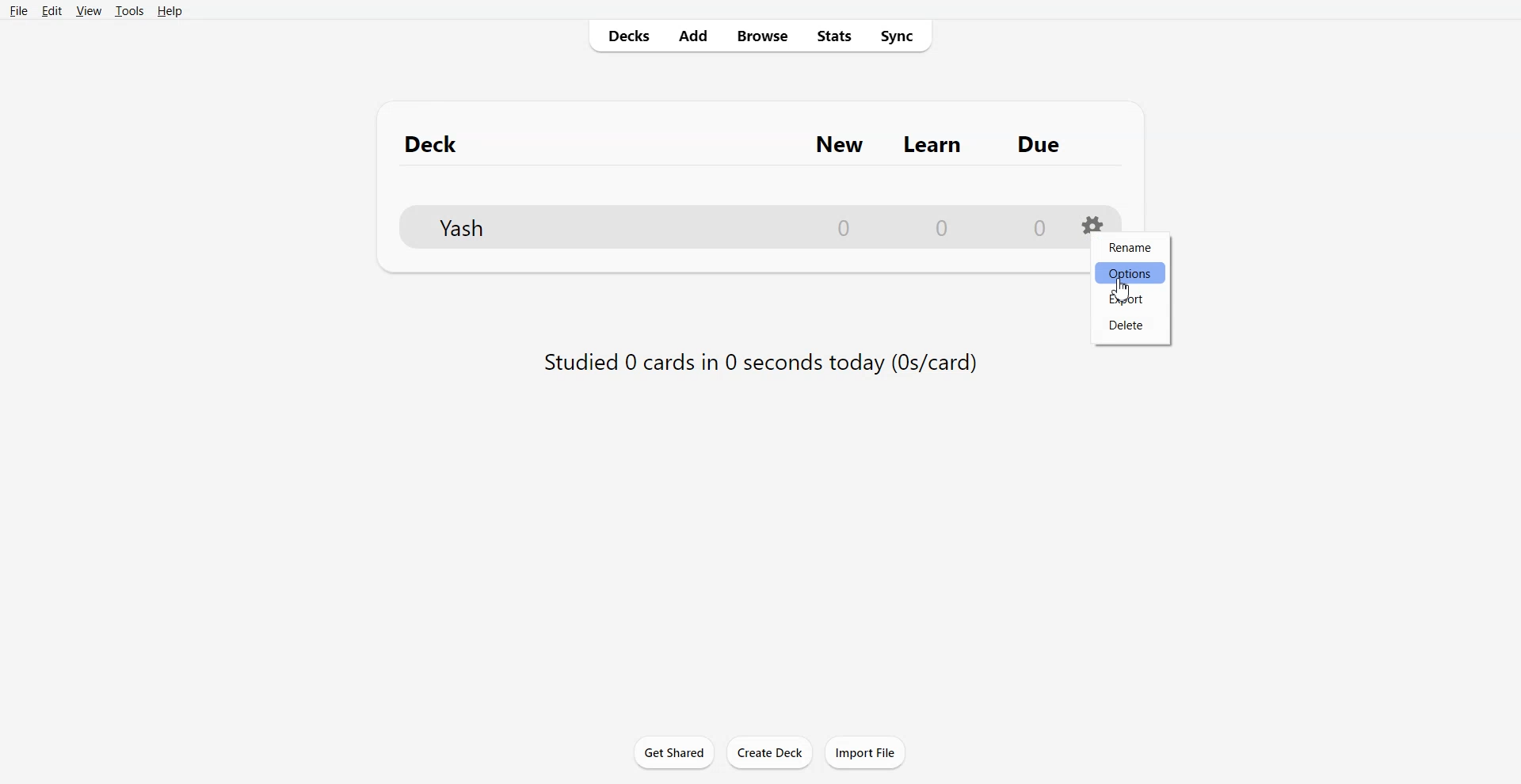  Describe the element at coordinates (625, 36) in the screenshot. I see `Decks` at that location.